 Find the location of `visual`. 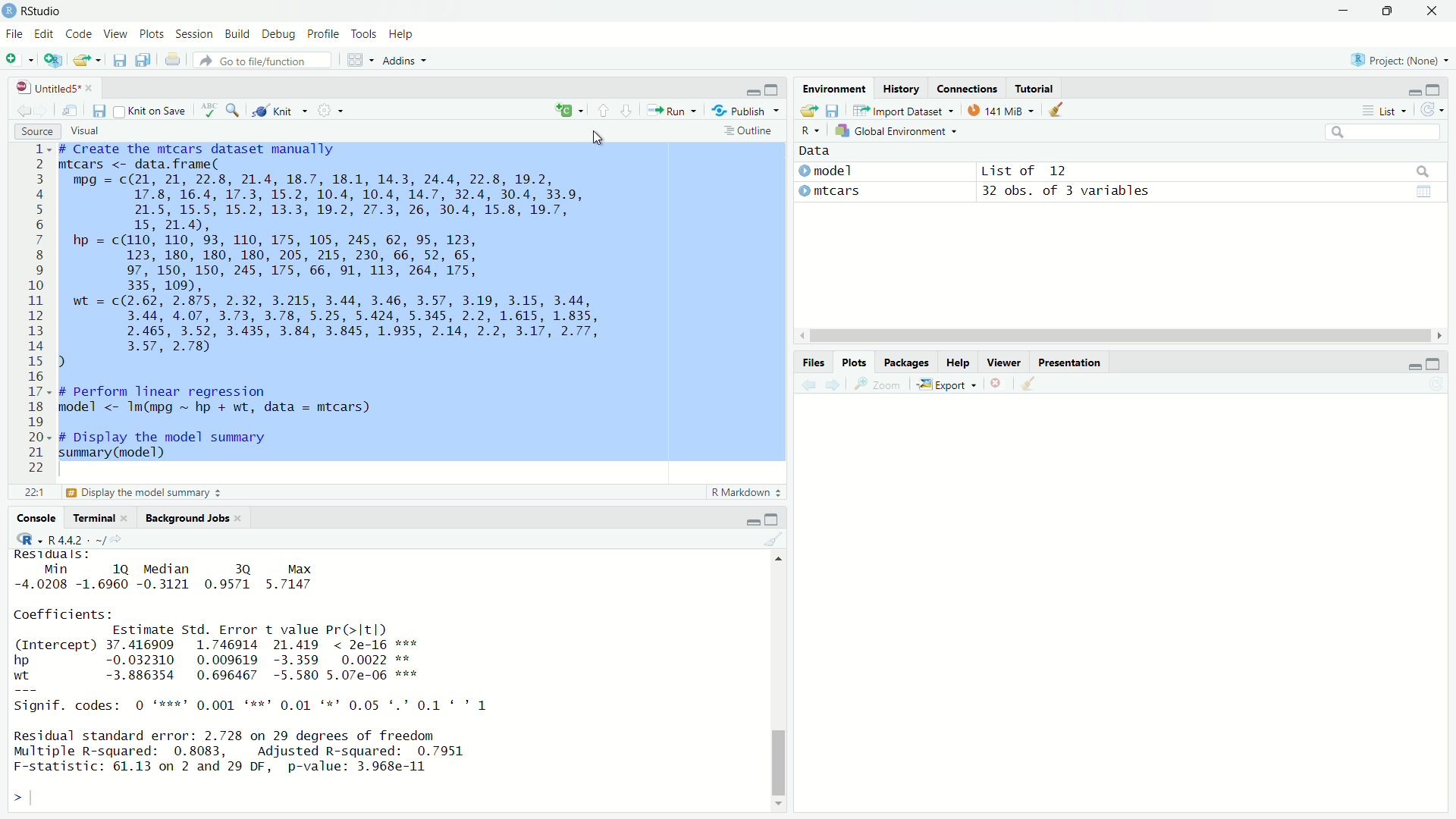

visual is located at coordinates (85, 130).